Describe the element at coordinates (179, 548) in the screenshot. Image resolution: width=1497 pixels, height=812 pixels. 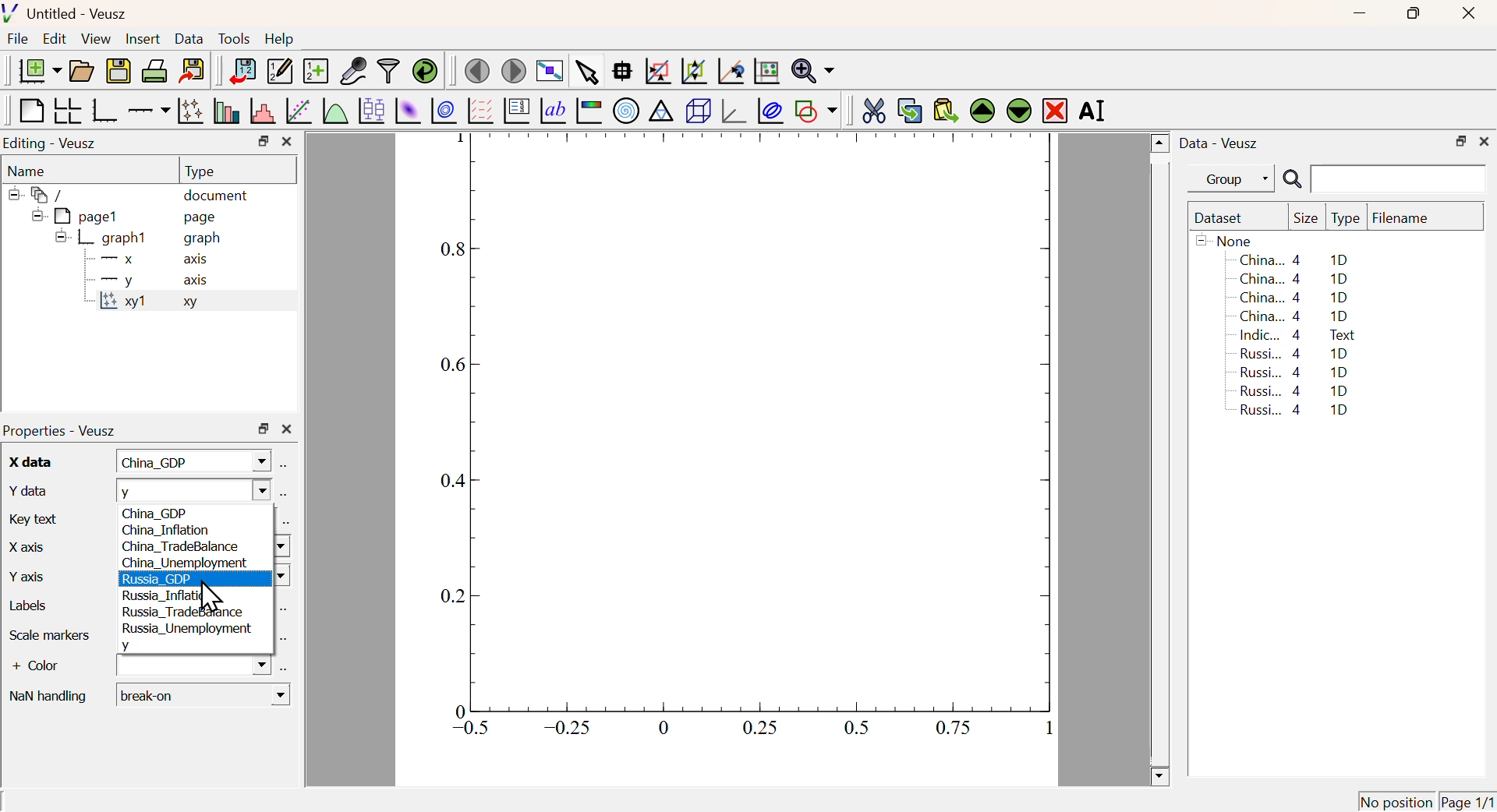
I see `China_TradeBalance` at that location.